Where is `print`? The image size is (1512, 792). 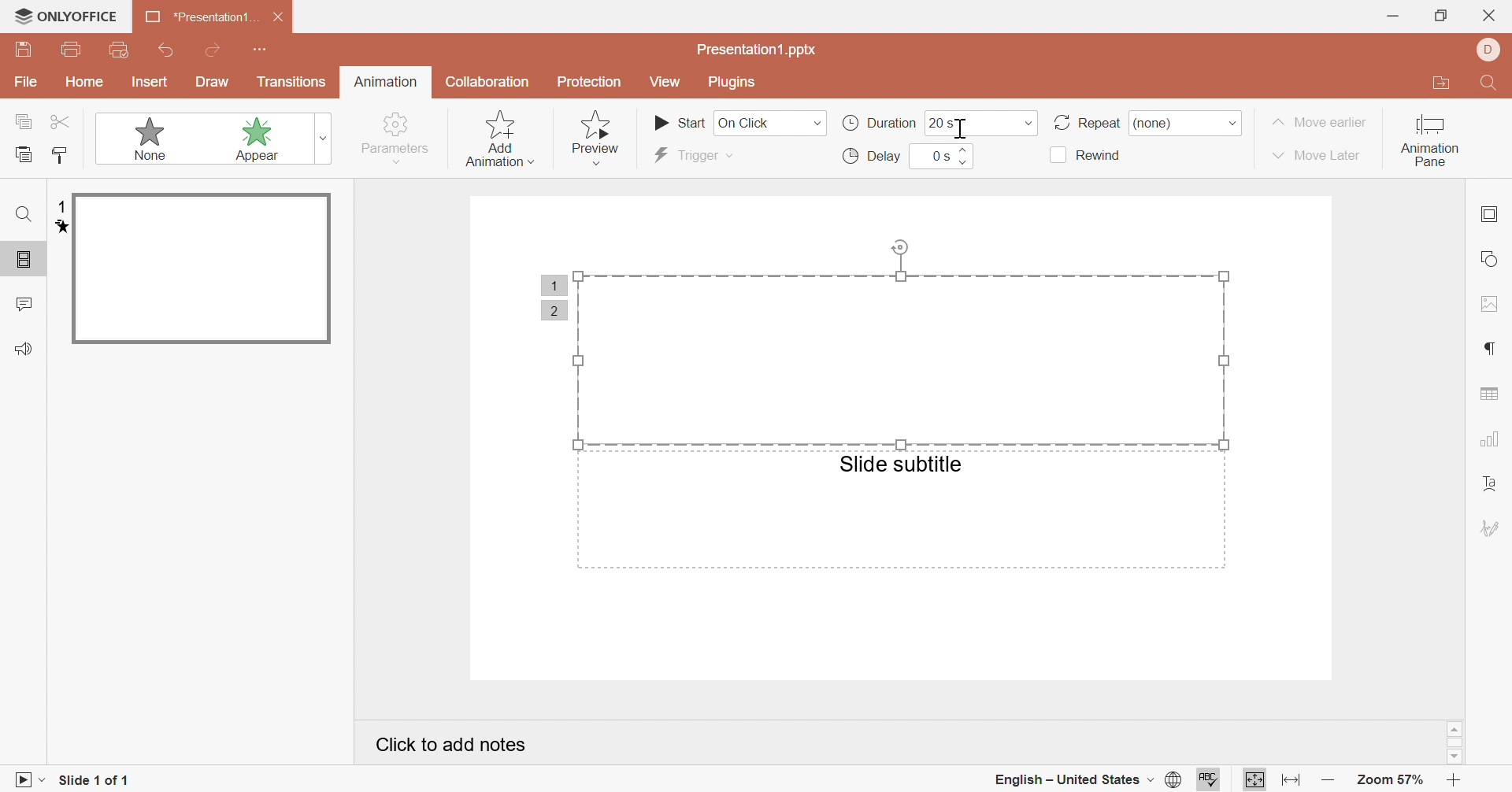 print is located at coordinates (73, 48).